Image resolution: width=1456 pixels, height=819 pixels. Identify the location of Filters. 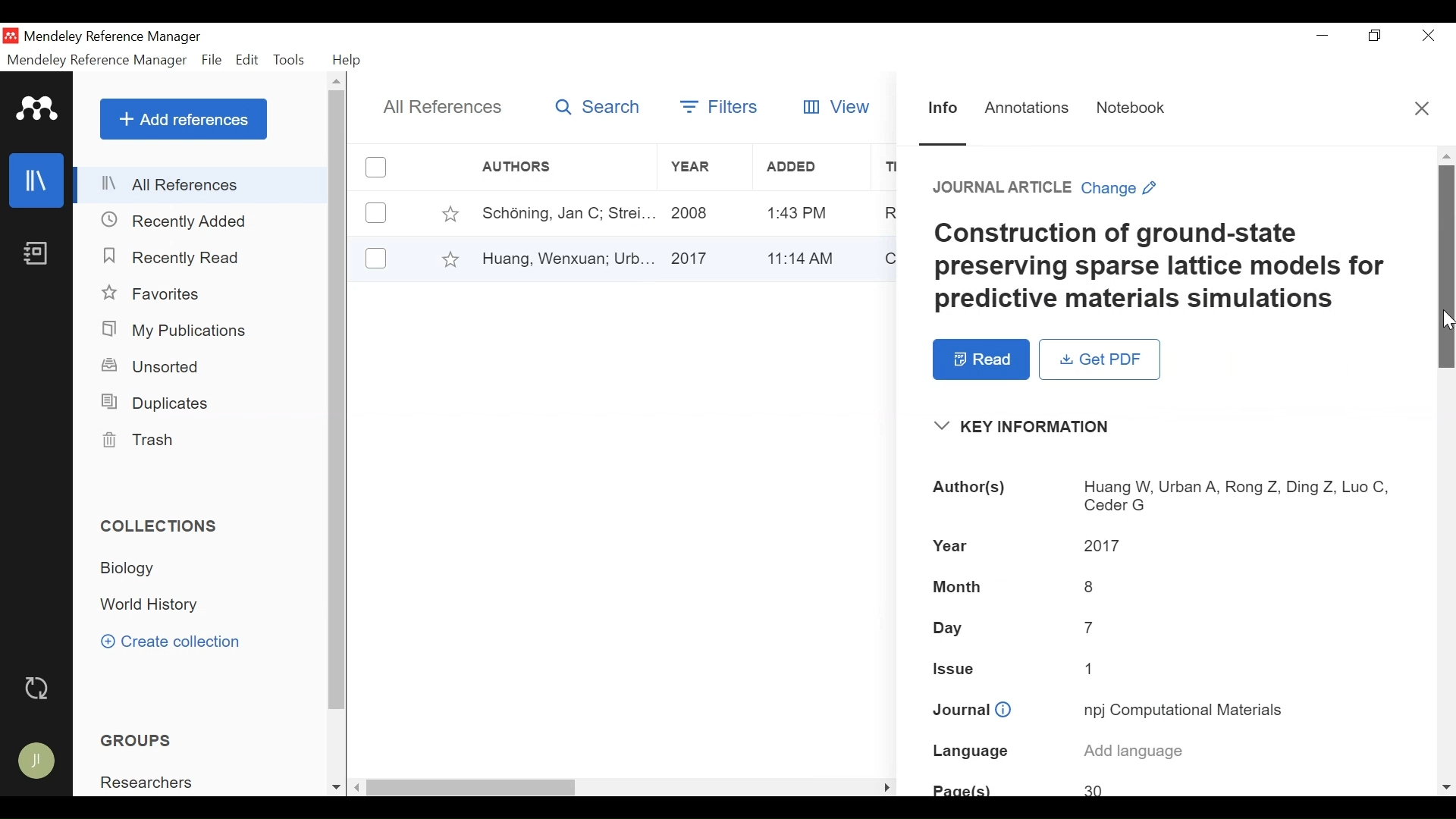
(717, 106).